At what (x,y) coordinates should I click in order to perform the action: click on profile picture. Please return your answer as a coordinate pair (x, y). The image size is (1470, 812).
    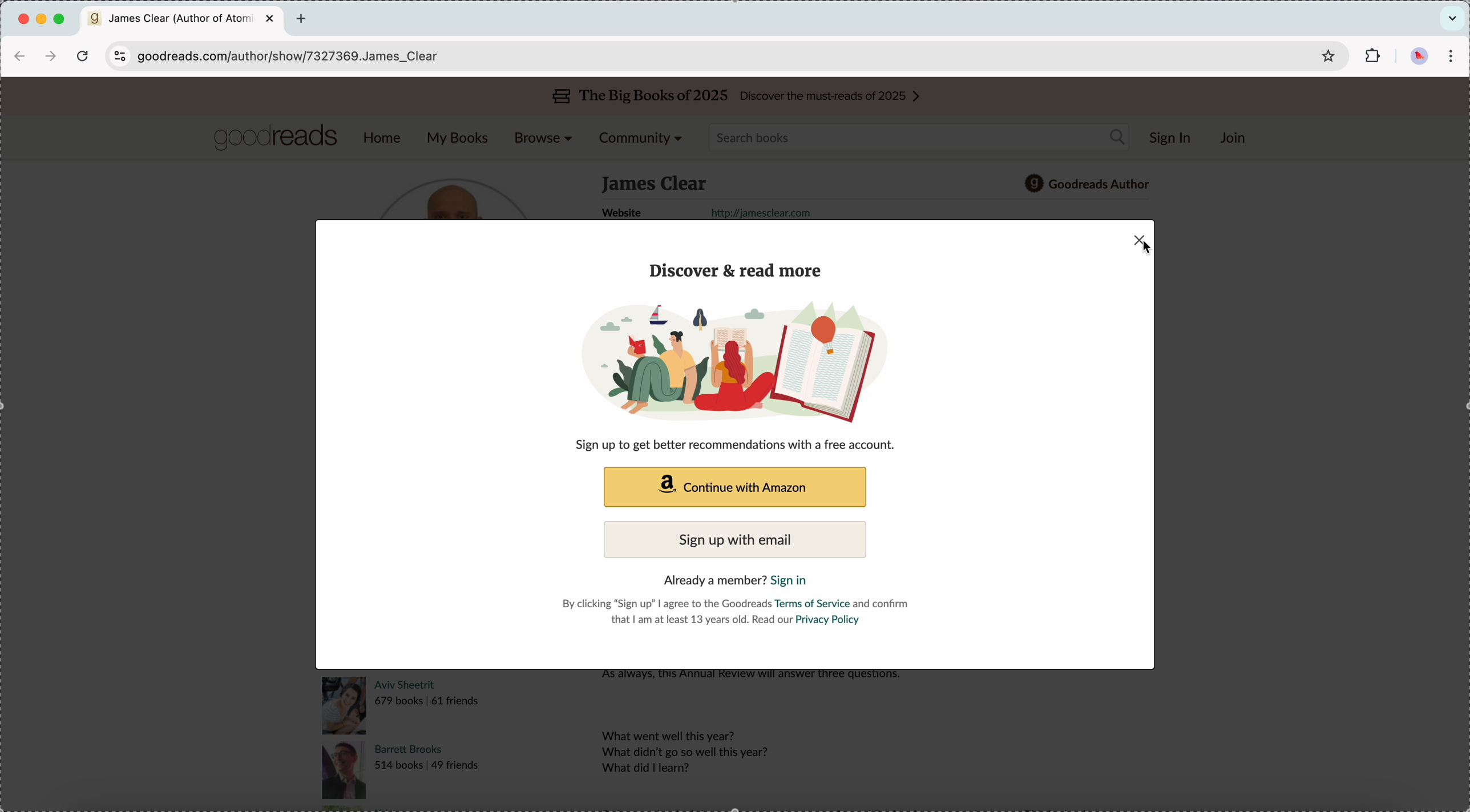
    Looking at the image, I should click on (1416, 56).